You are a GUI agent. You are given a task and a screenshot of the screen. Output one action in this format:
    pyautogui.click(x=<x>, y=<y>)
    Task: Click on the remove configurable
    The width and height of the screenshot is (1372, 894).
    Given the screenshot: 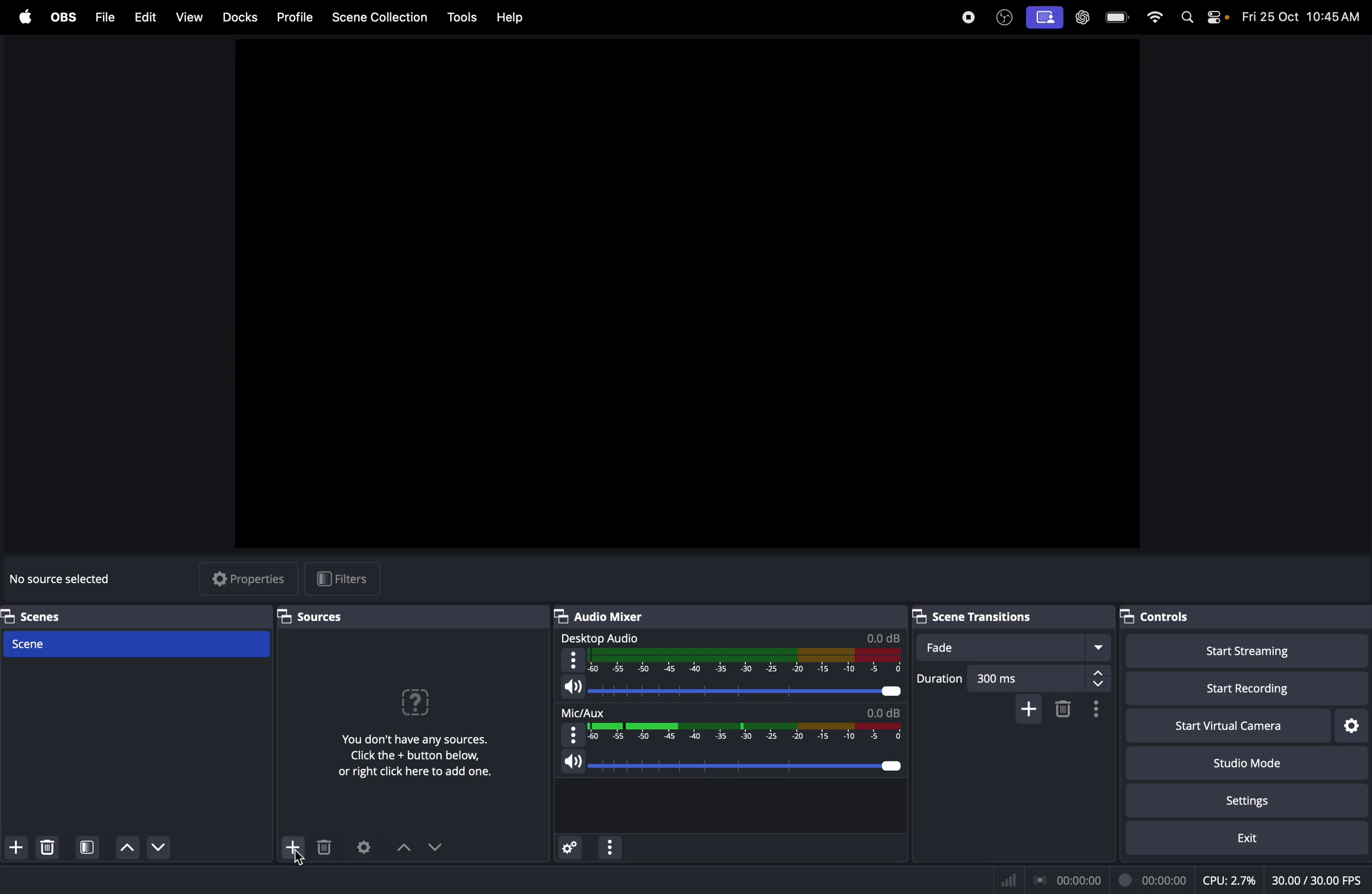 What is the action you would take?
    pyautogui.click(x=1065, y=709)
    